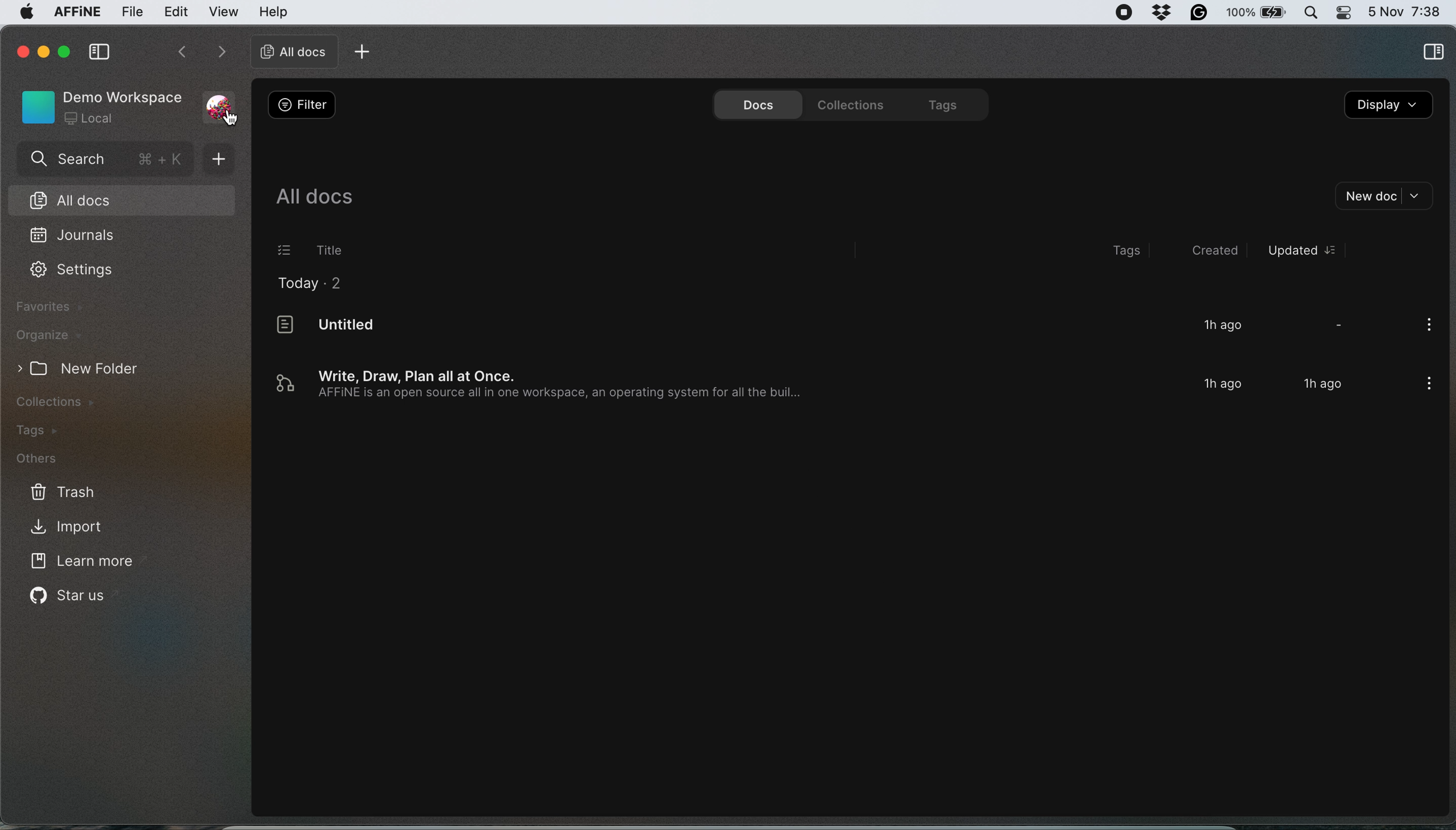 Image resolution: width=1456 pixels, height=830 pixels. What do you see at coordinates (72, 272) in the screenshot?
I see `settings` at bounding box center [72, 272].